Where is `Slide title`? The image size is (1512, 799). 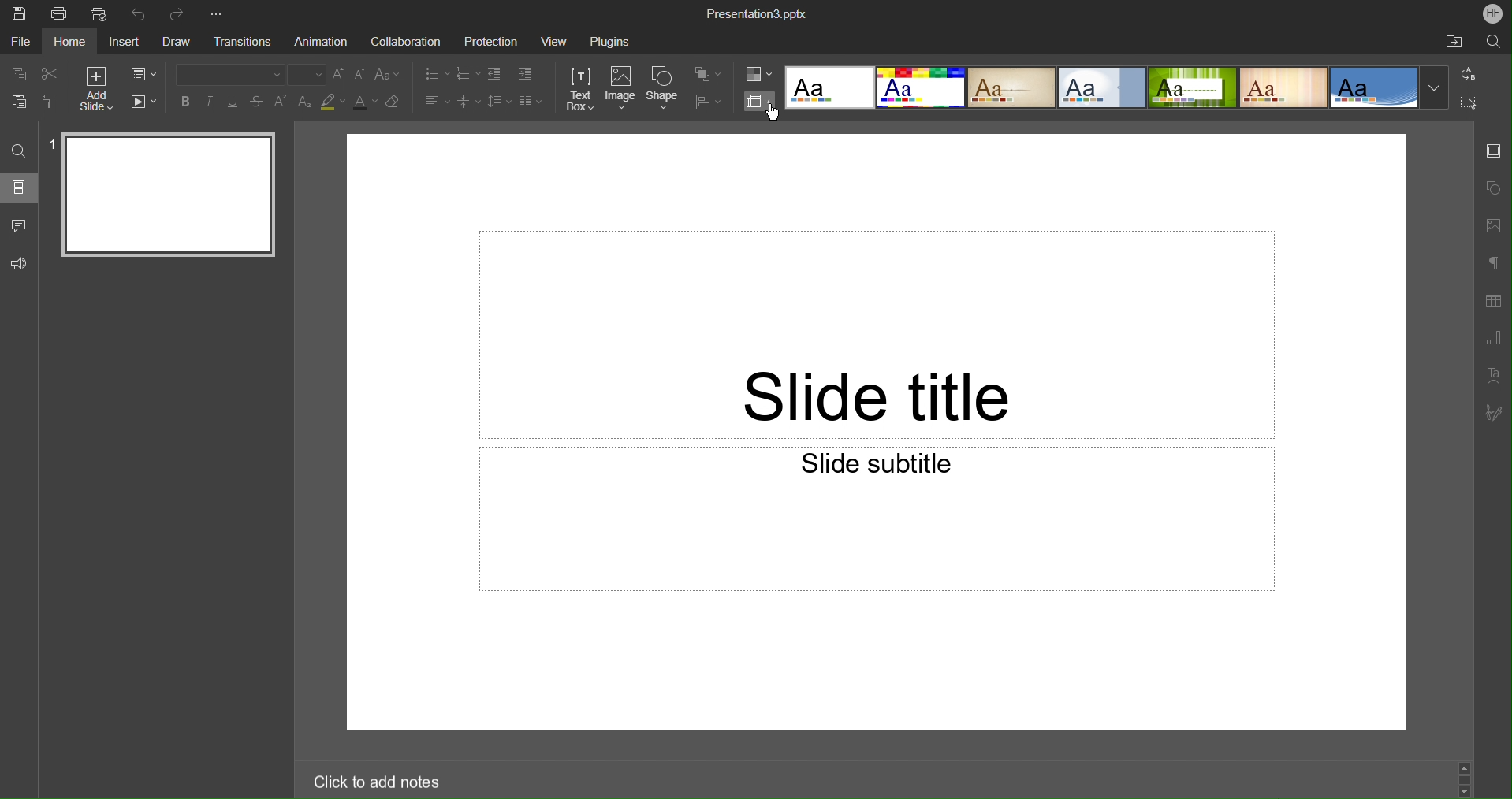 Slide title is located at coordinates (877, 334).